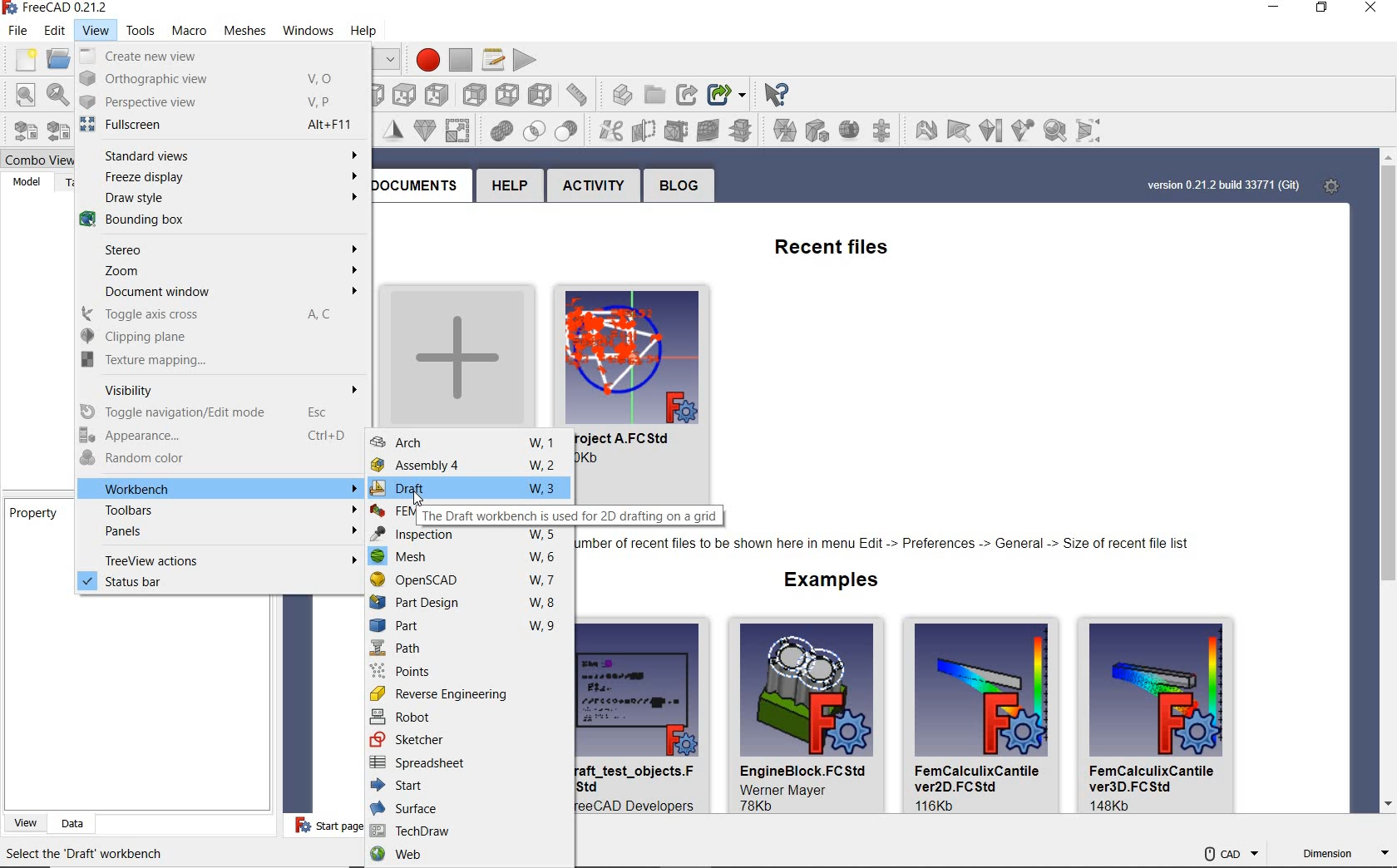 The image size is (1397, 868). I want to click on default files, so click(906, 717).